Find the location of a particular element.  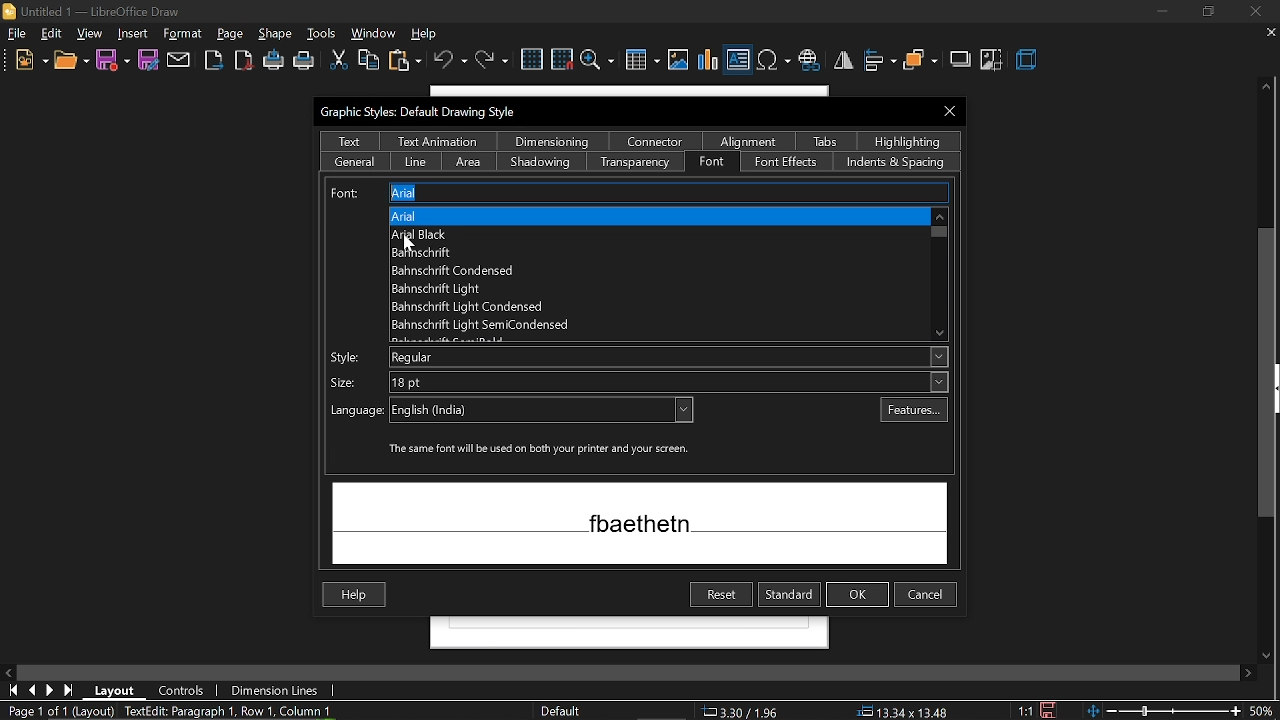

move up is located at coordinates (1267, 88).